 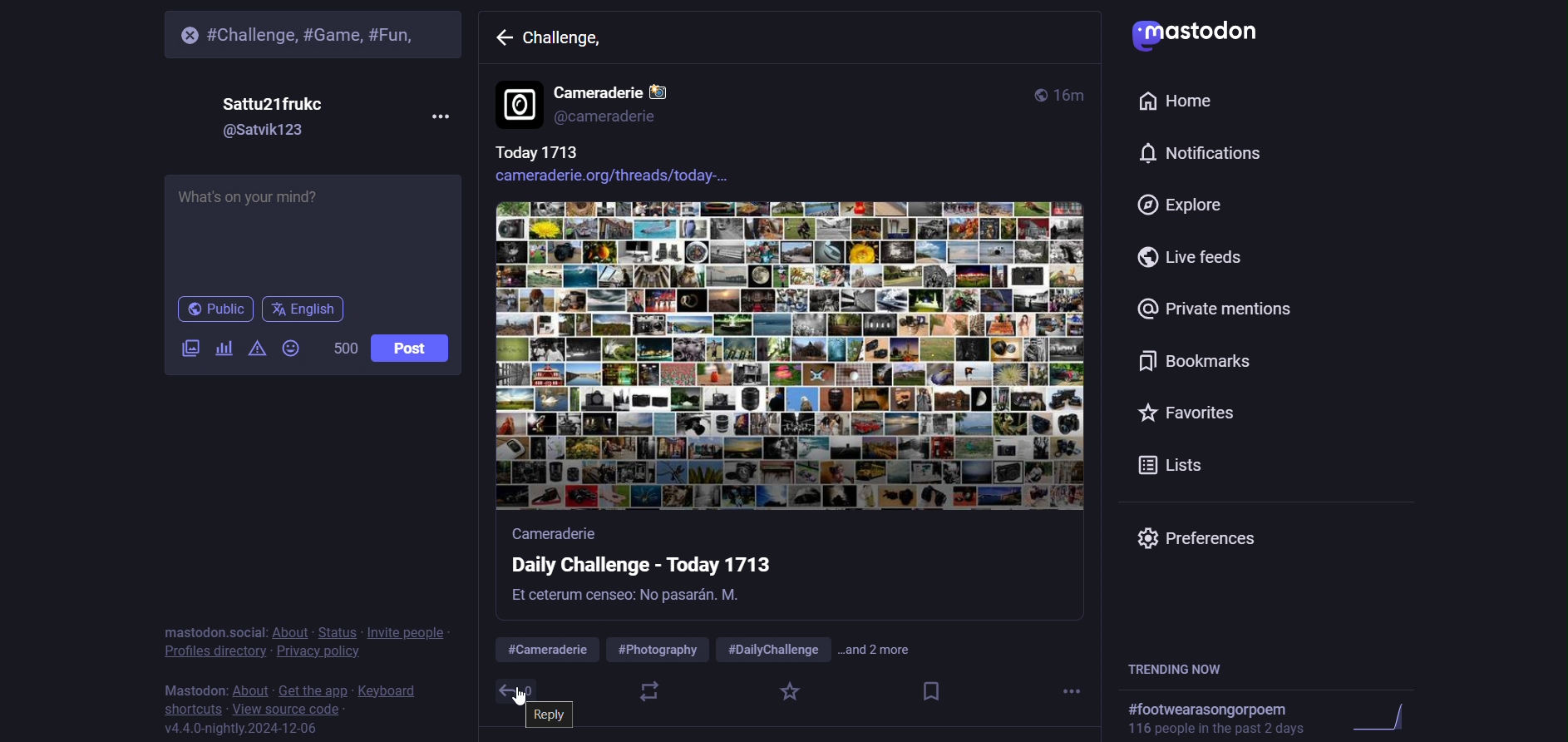 I want to click on live feed, so click(x=1196, y=258).